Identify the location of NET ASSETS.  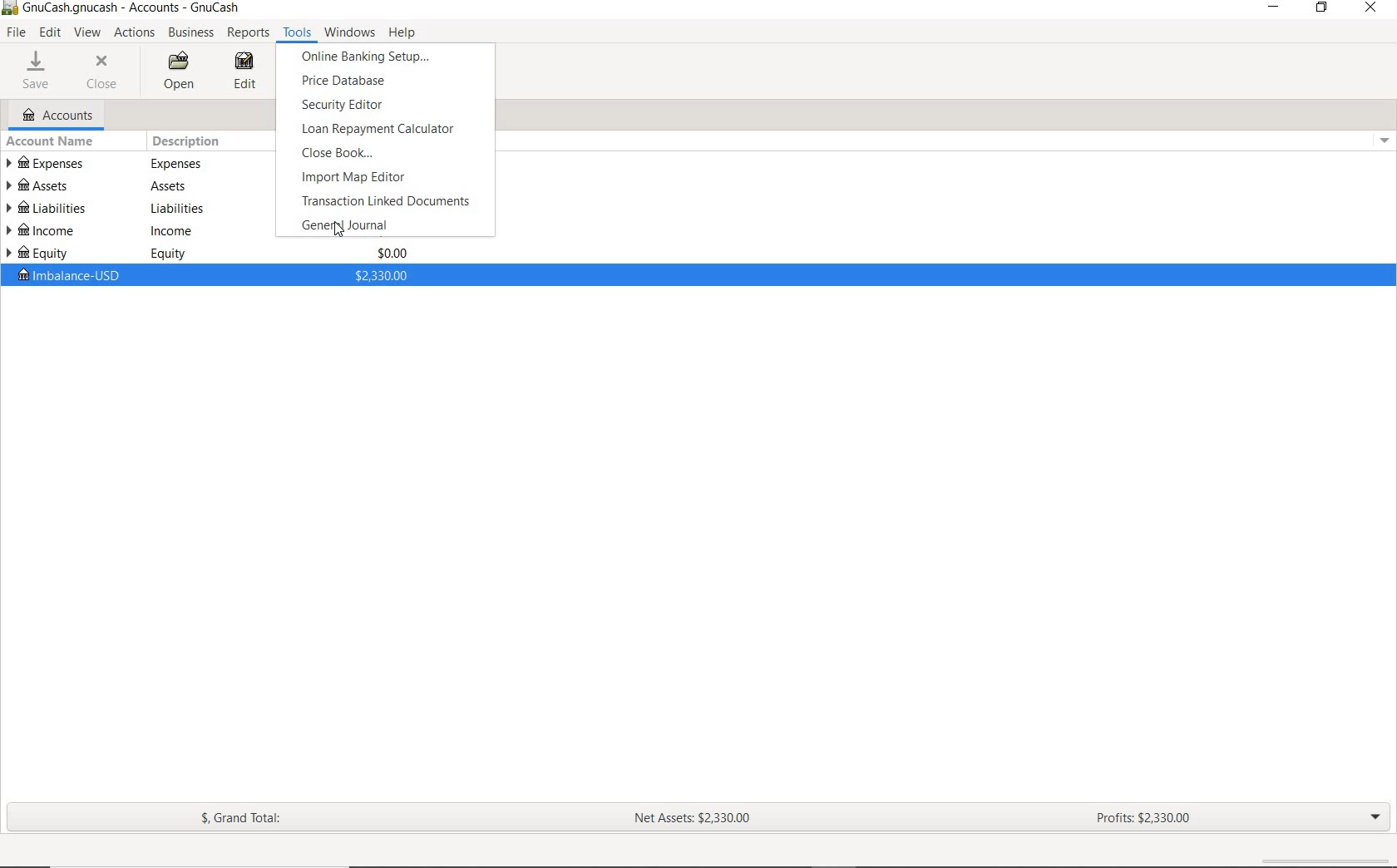
(694, 816).